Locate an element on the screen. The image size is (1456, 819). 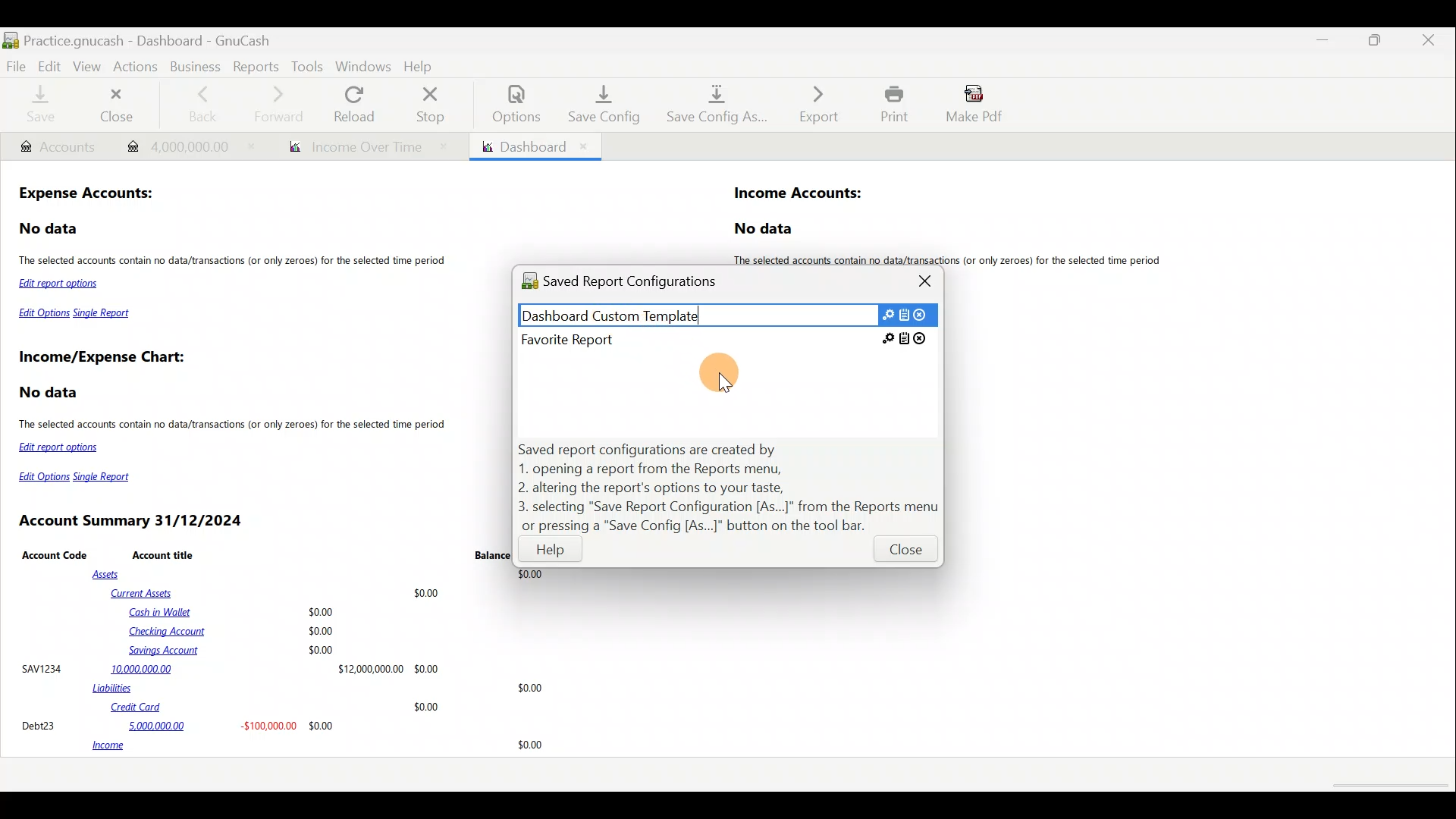
Save config as is located at coordinates (712, 105).